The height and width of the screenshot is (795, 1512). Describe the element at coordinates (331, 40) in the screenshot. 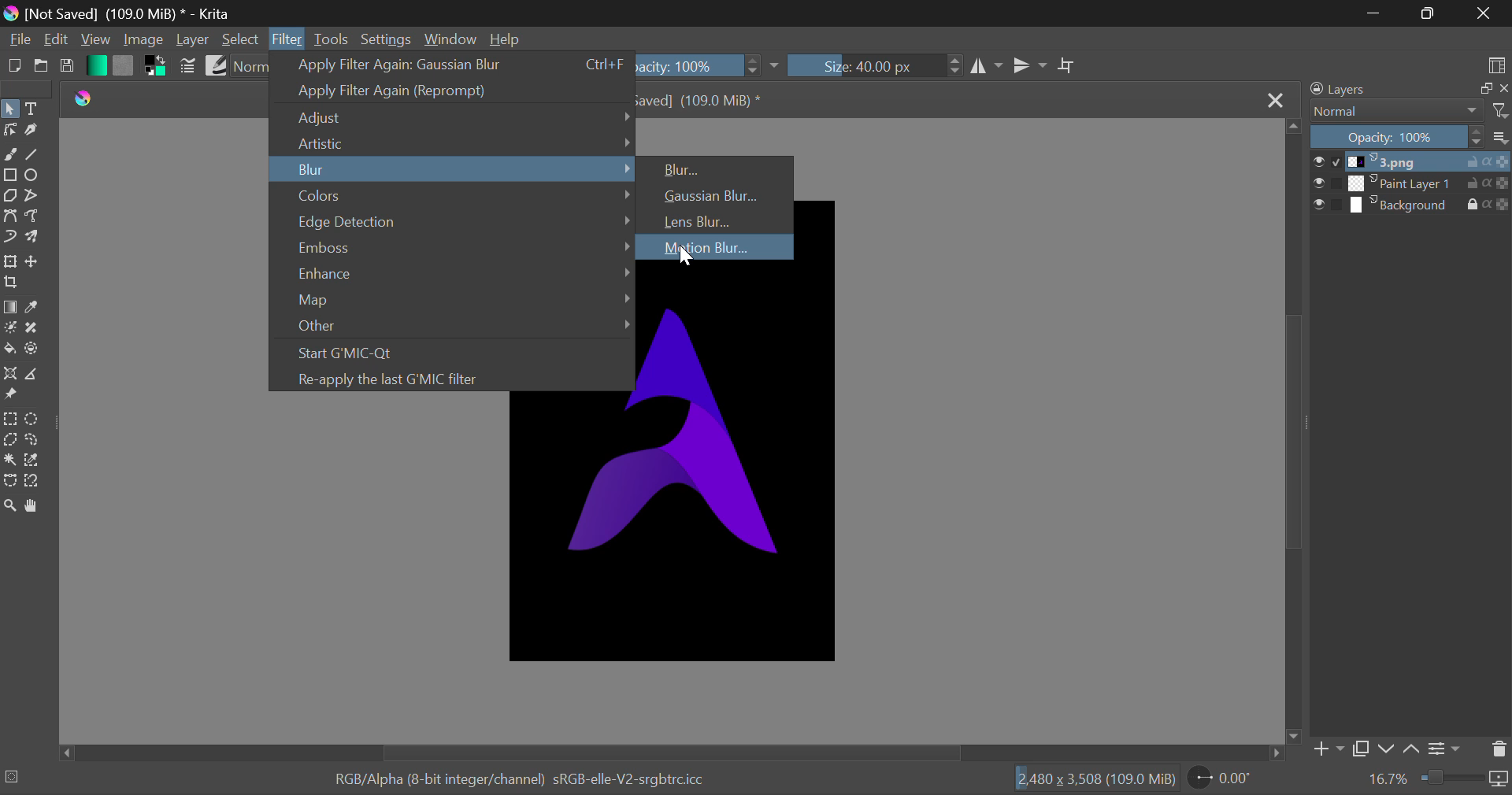

I see `Tools` at that location.